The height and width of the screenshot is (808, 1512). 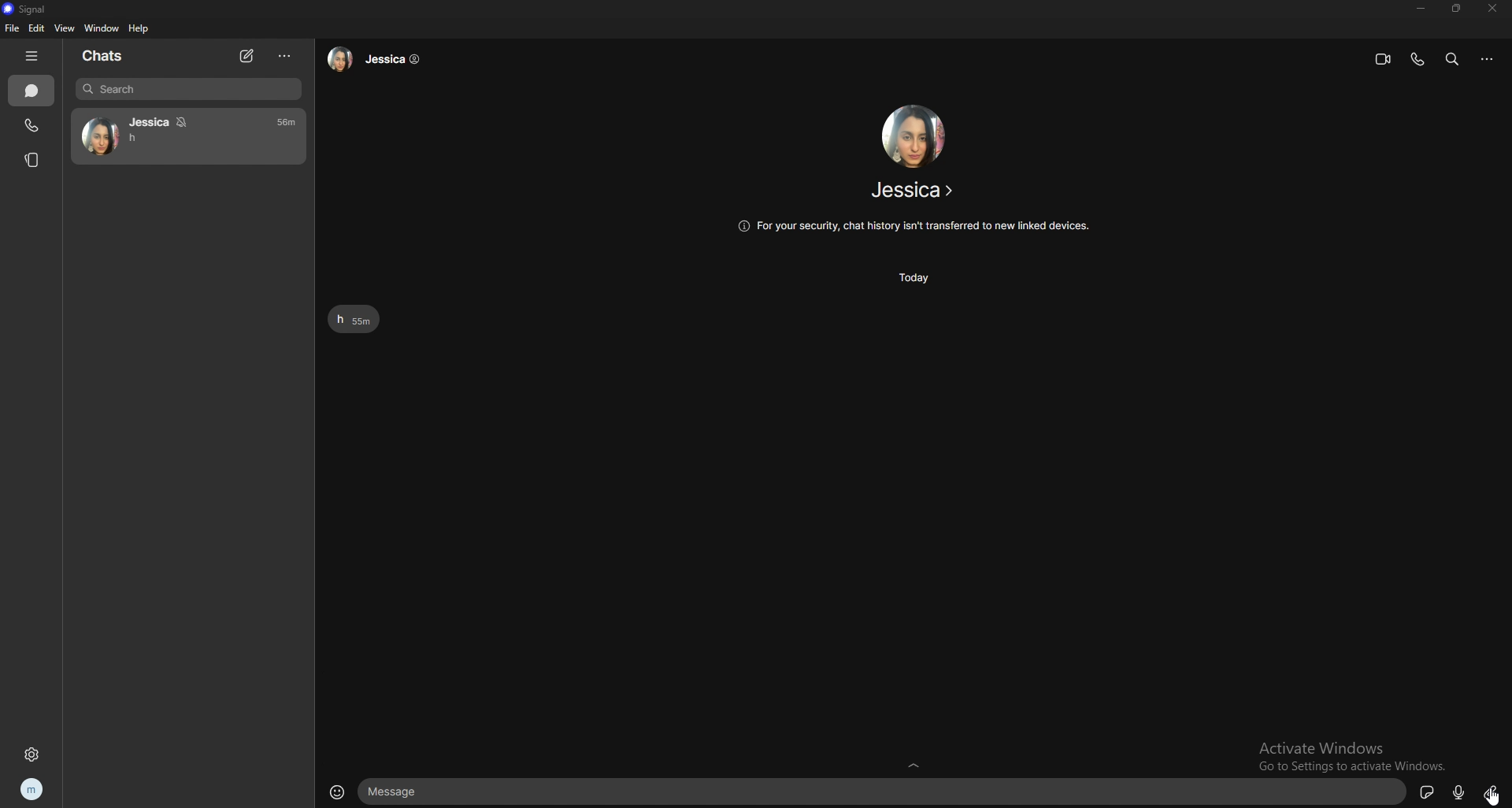 What do you see at coordinates (32, 125) in the screenshot?
I see `calls` at bounding box center [32, 125].